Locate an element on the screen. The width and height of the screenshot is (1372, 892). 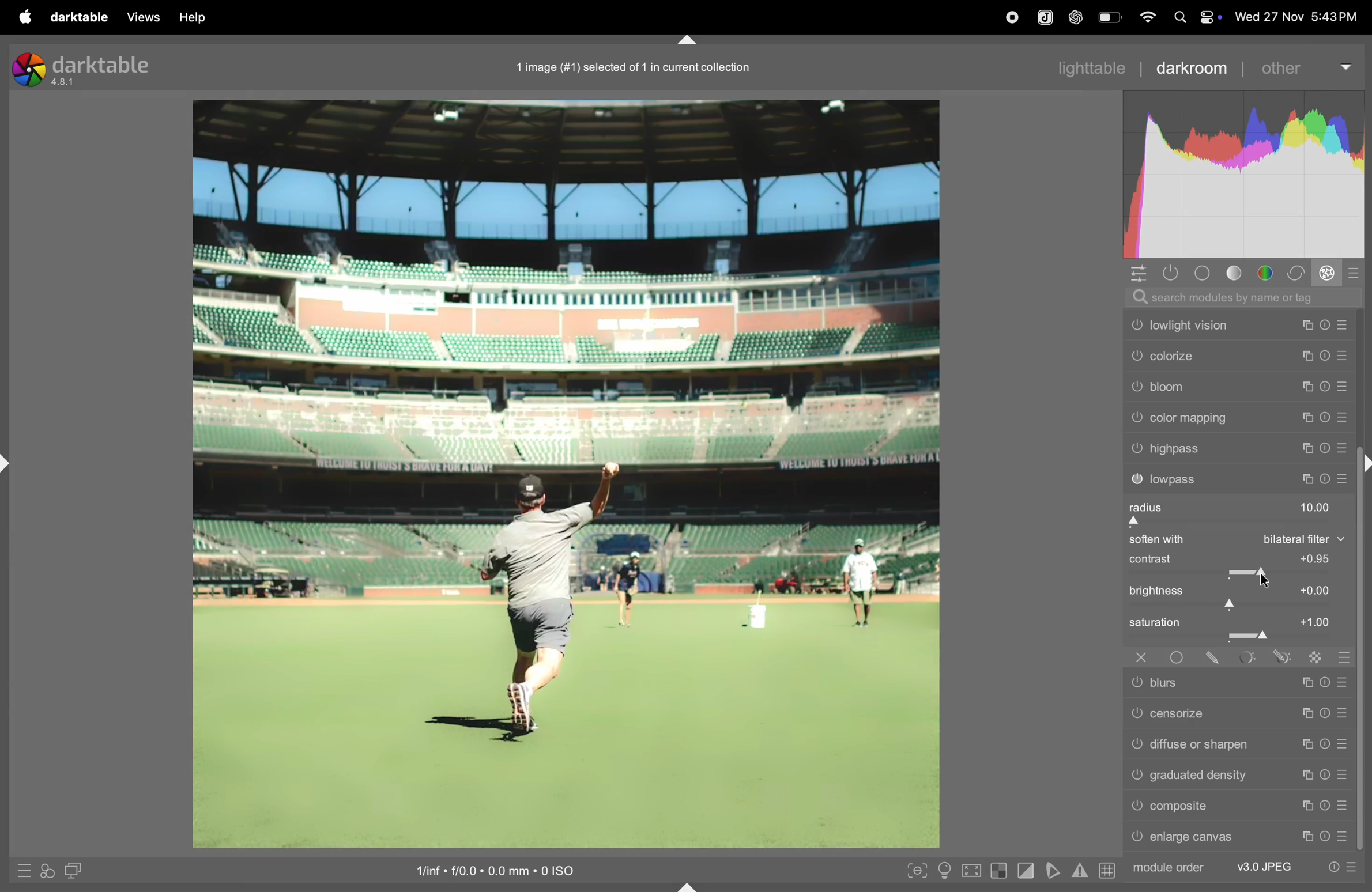
indicators is located at coordinates (1078, 869).